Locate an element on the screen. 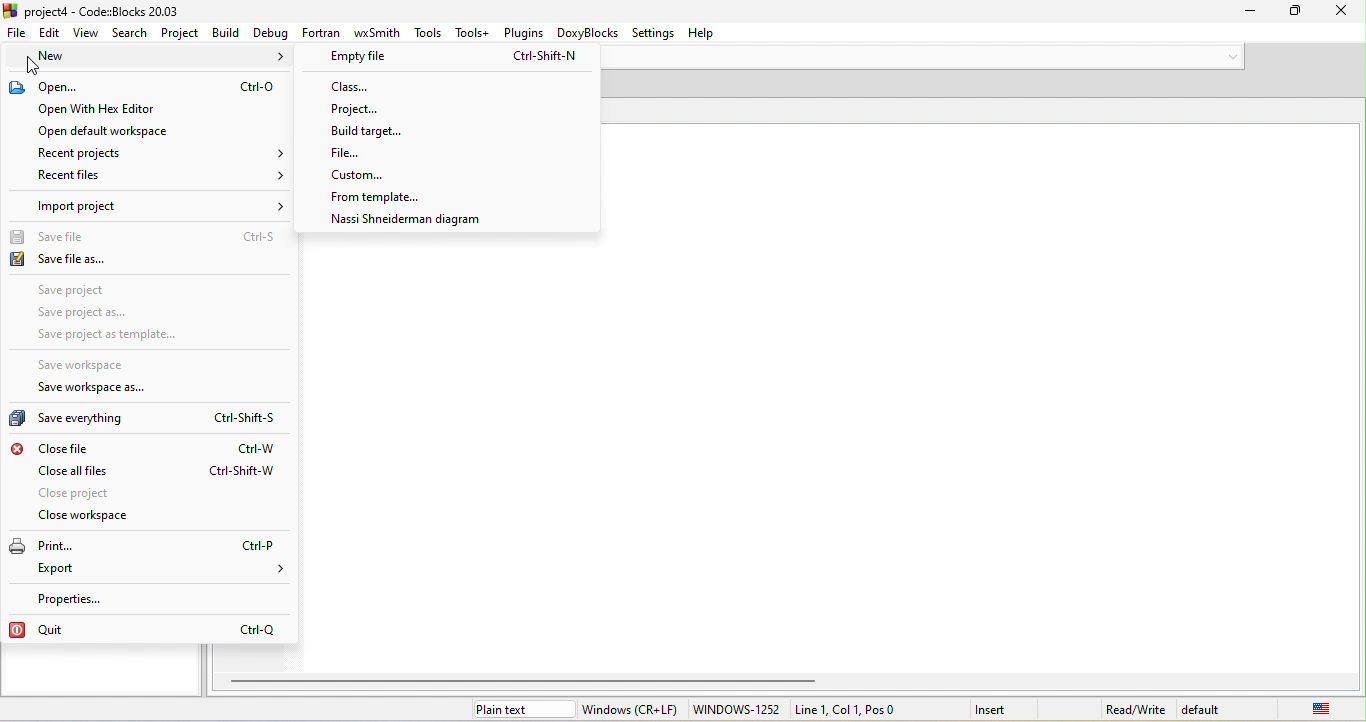 Image resolution: width=1366 pixels, height=722 pixels. save project as is located at coordinates (98, 312).